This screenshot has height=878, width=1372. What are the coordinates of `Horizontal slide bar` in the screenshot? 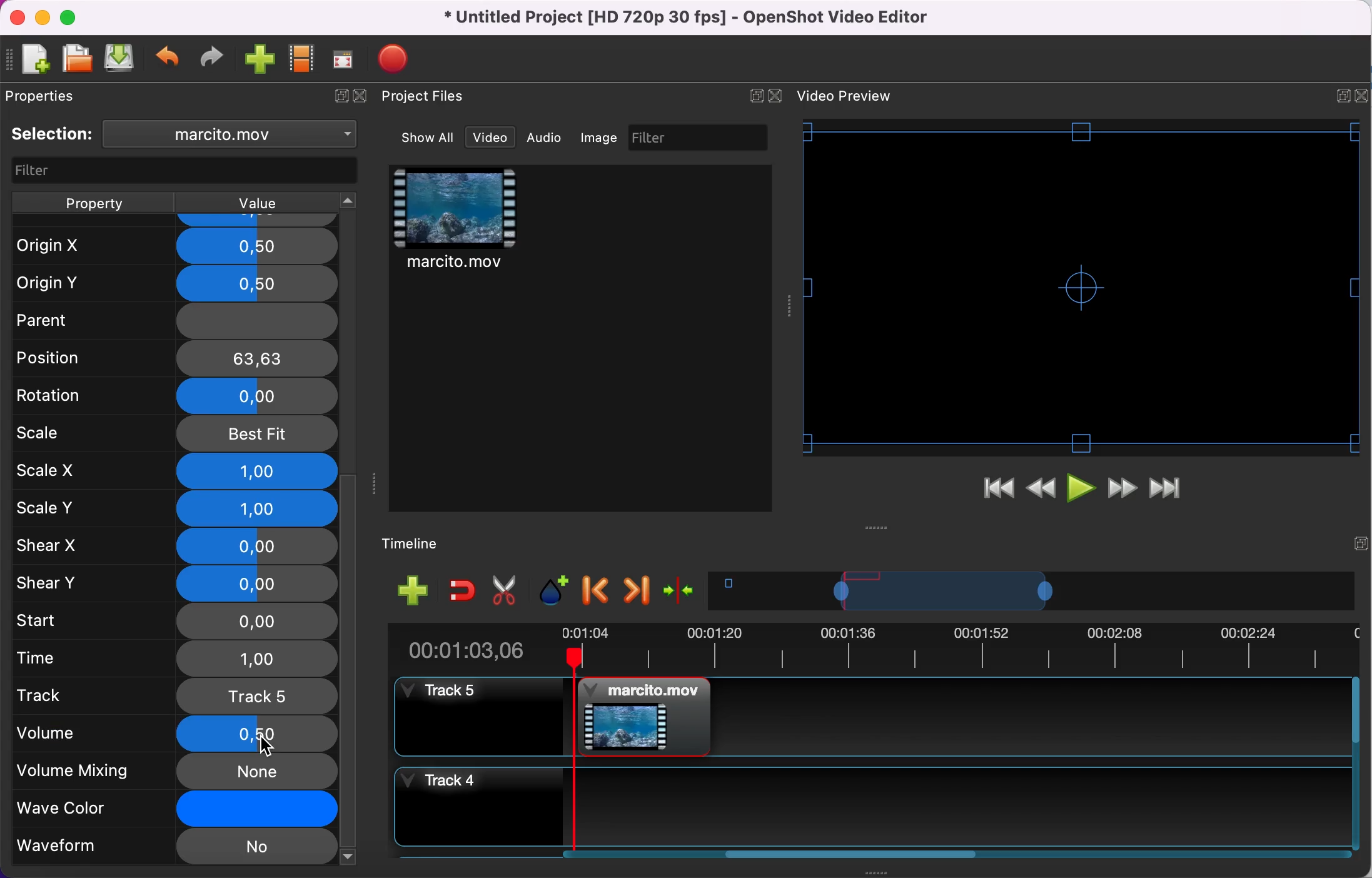 It's located at (852, 854).